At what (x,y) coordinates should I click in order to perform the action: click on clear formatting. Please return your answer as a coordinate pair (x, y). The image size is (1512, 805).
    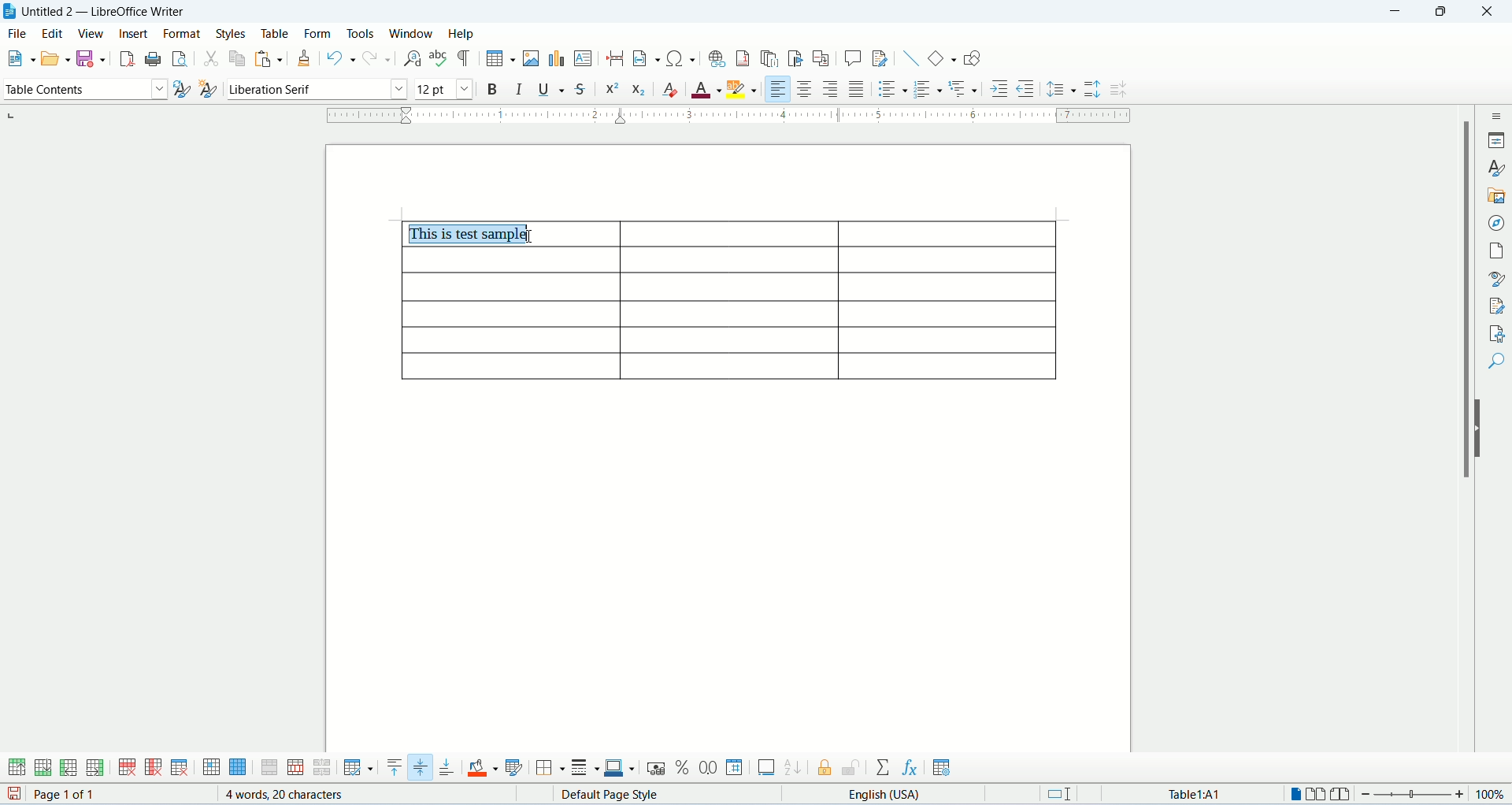
    Looking at the image, I should click on (670, 89).